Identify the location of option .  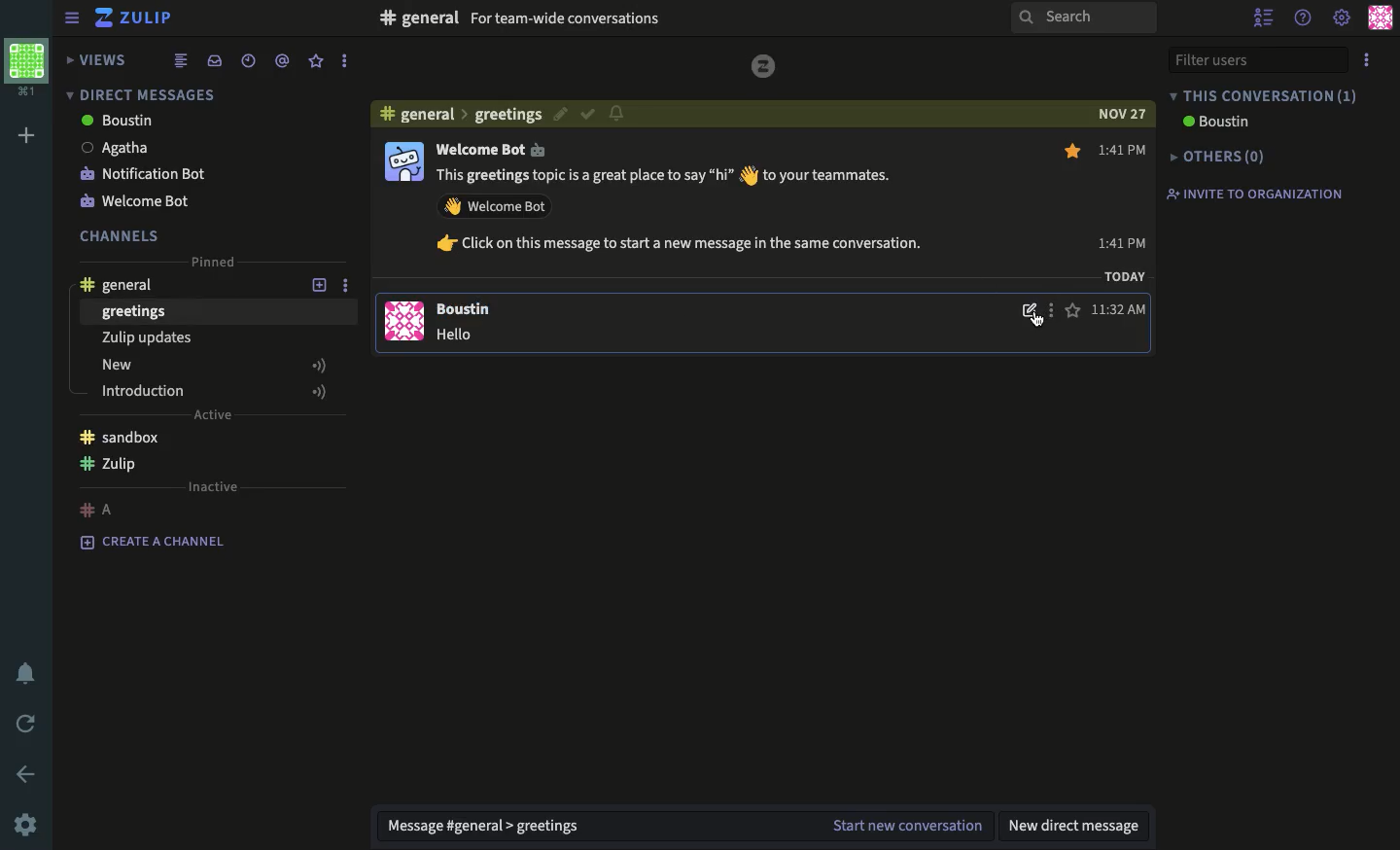
(1050, 314).